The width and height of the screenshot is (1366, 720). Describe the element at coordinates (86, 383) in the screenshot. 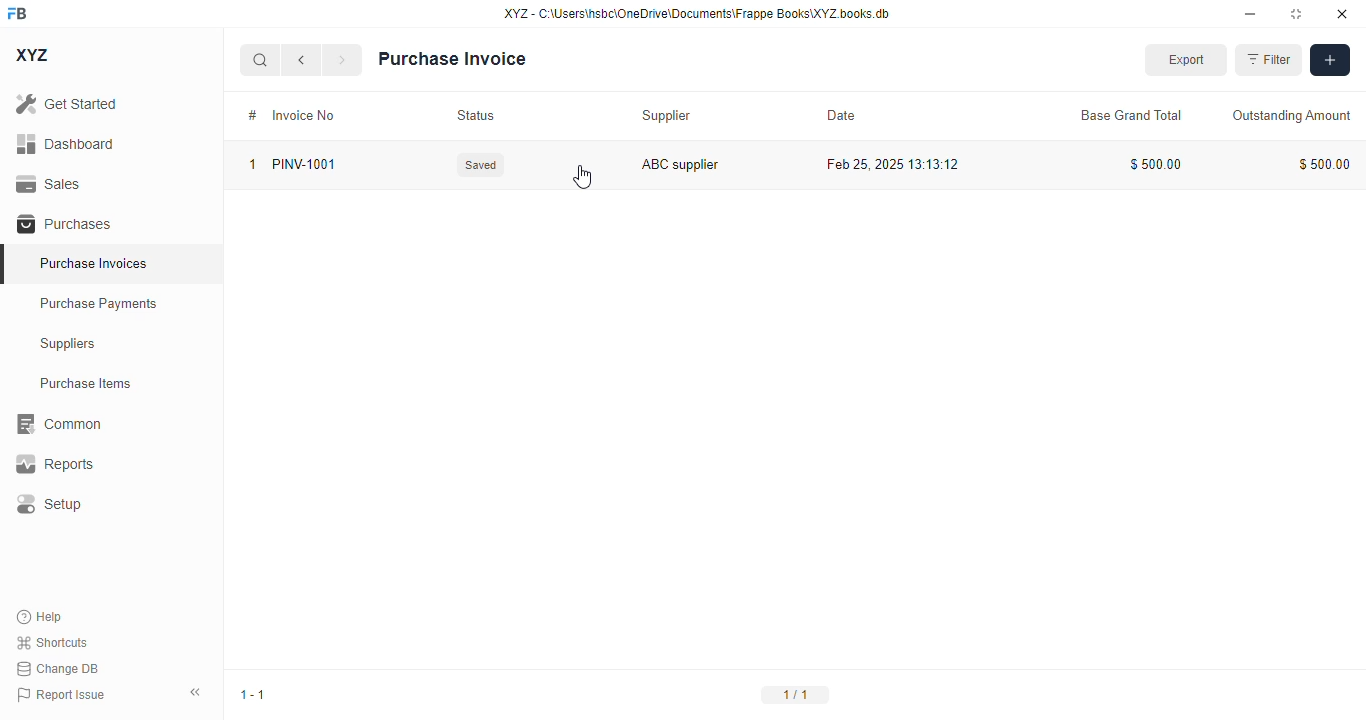

I see `purchase items` at that location.